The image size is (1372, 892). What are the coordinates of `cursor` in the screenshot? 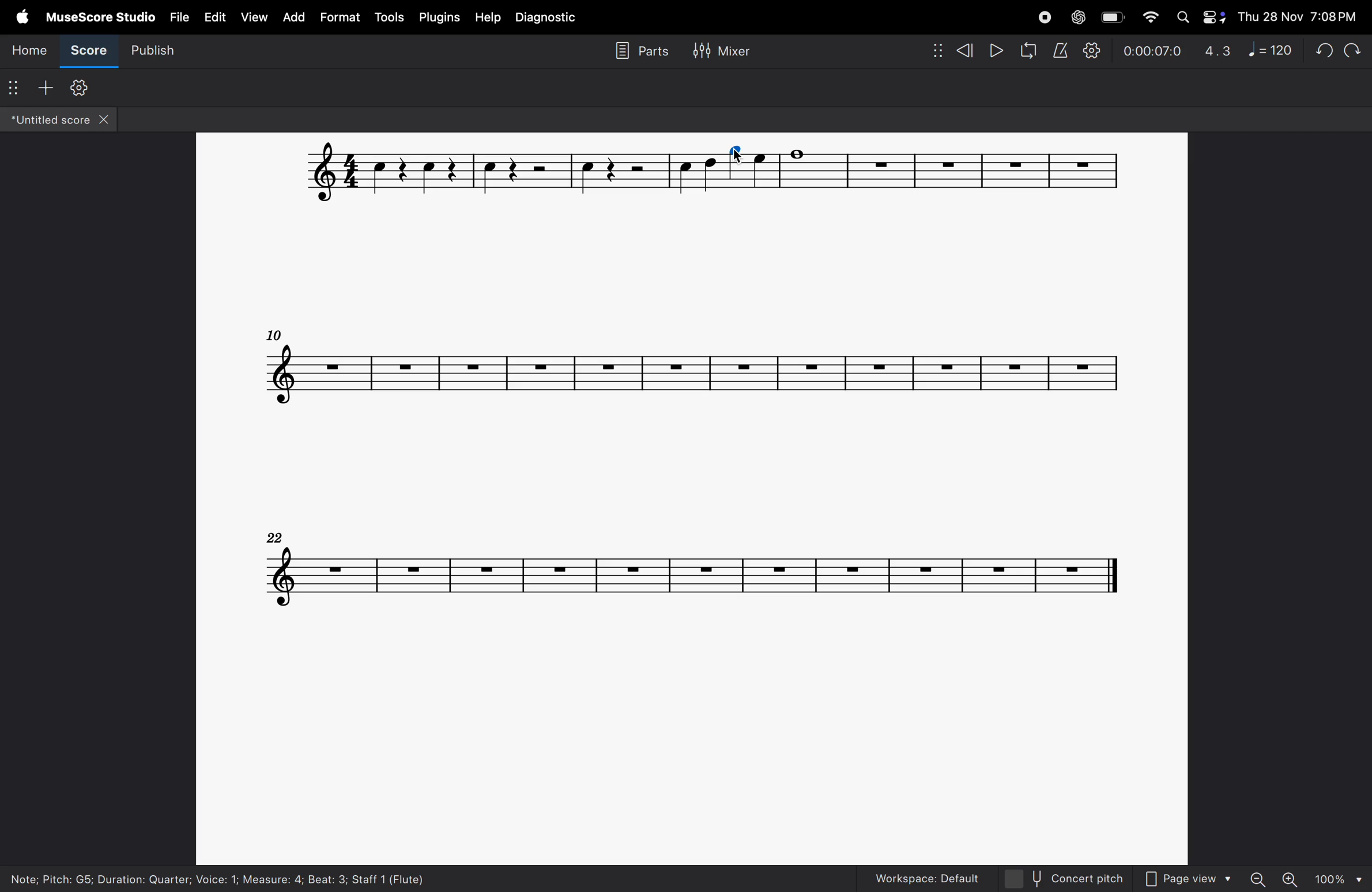 It's located at (743, 157).